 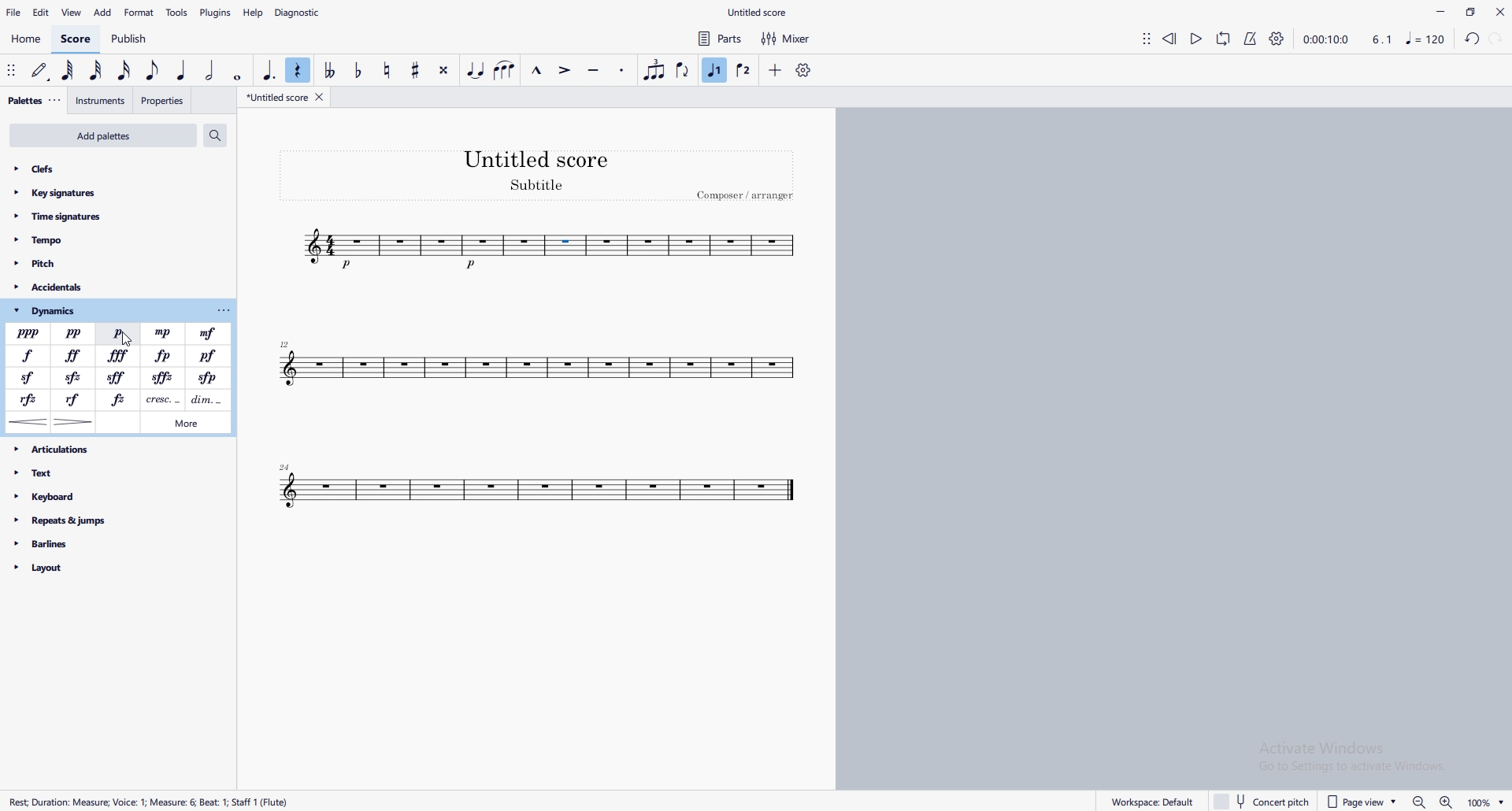 What do you see at coordinates (503, 70) in the screenshot?
I see `slur` at bounding box center [503, 70].